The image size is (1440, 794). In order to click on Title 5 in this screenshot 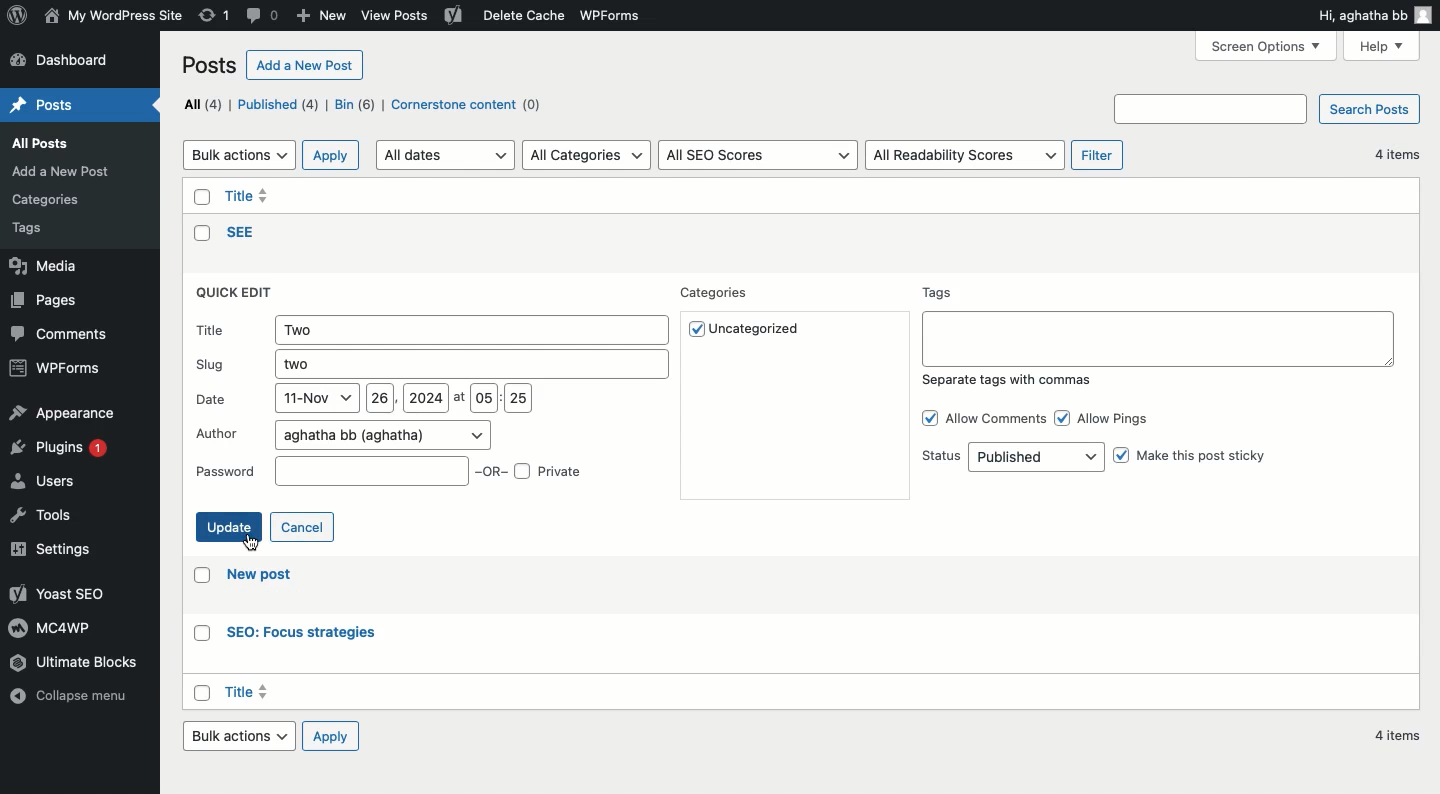, I will do `click(249, 193)`.